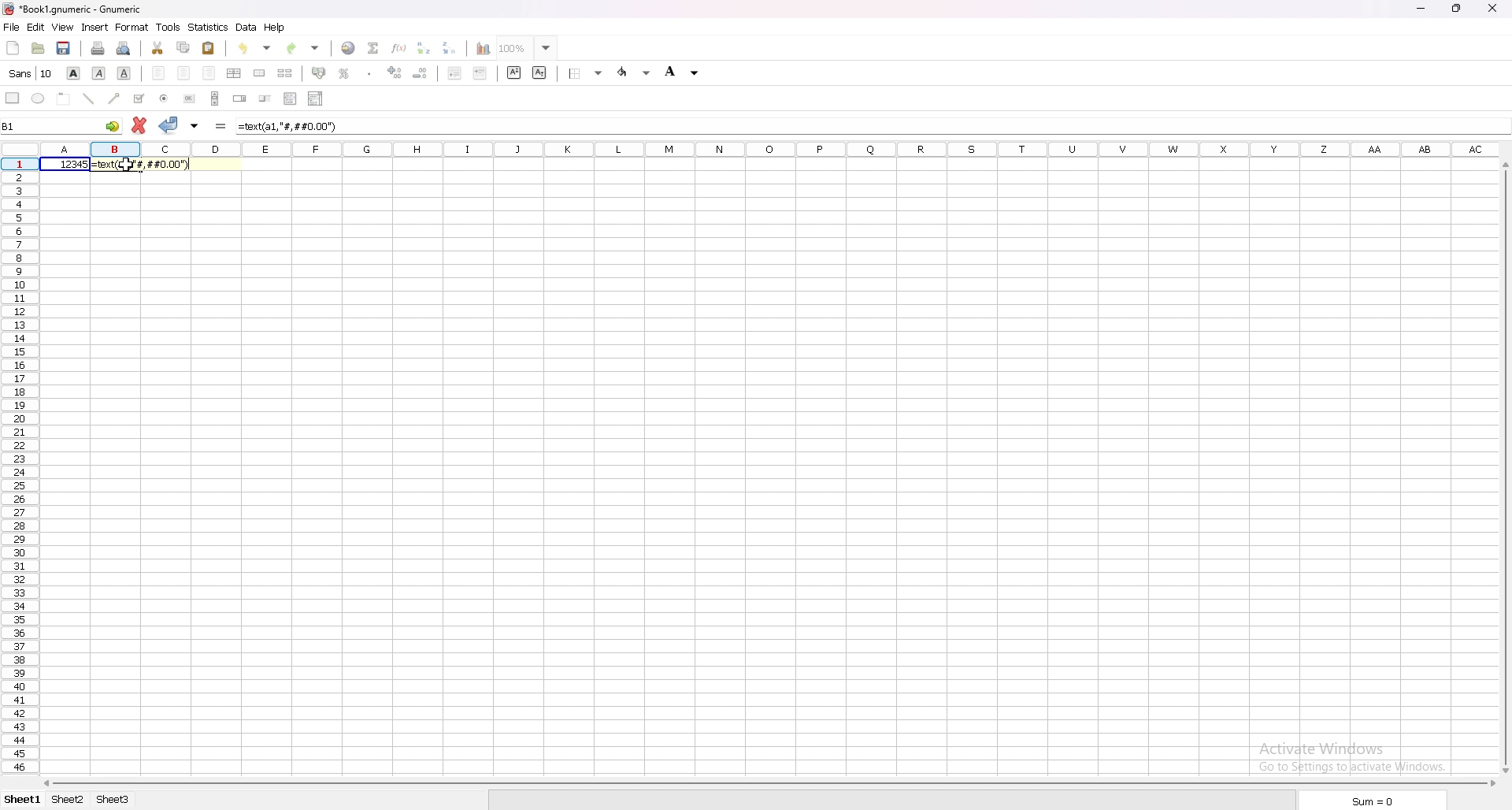 The width and height of the screenshot is (1512, 810). What do you see at coordinates (37, 49) in the screenshot?
I see `open` at bounding box center [37, 49].